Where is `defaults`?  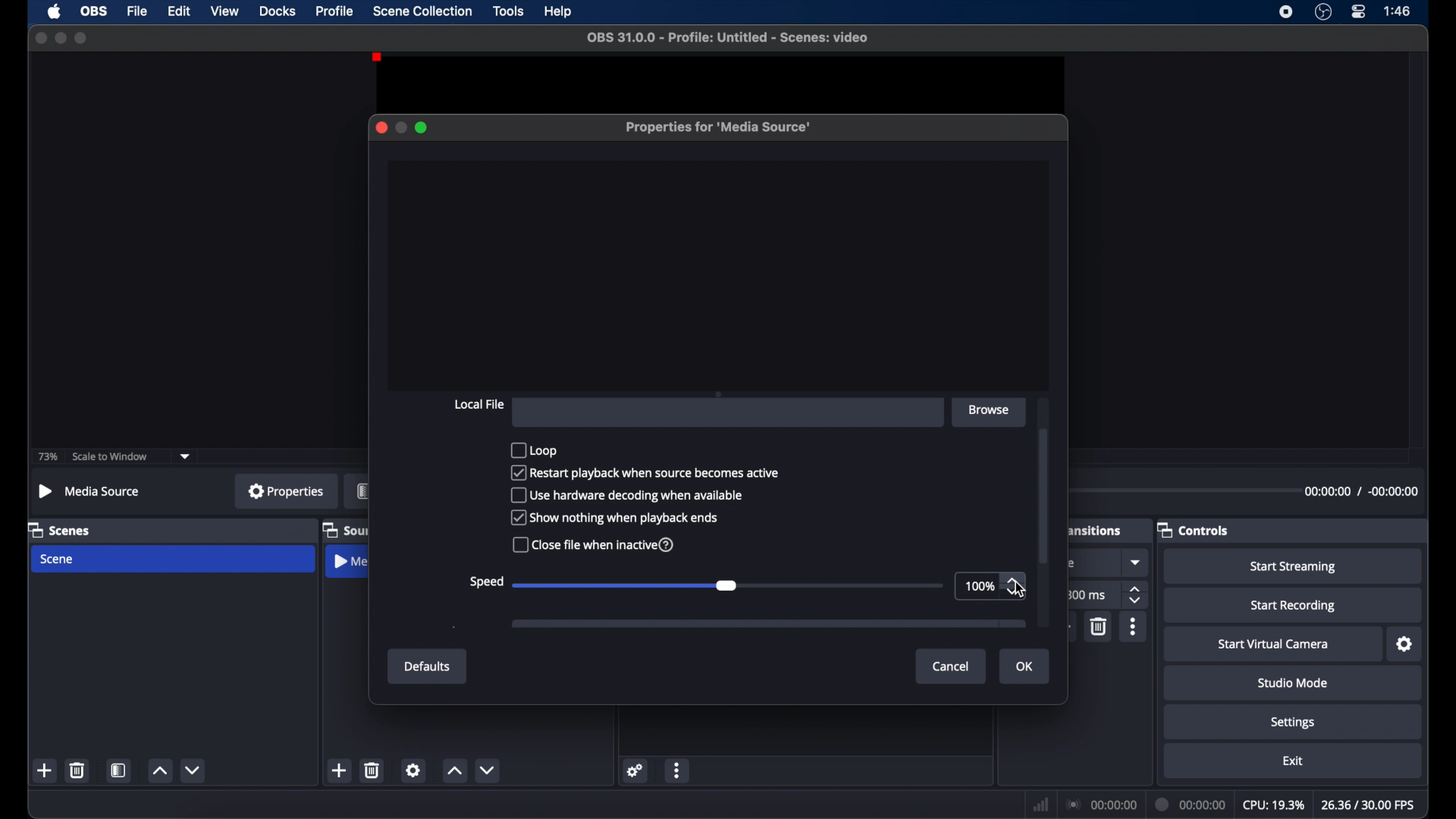 defaults is located at coordinates (428, 667).